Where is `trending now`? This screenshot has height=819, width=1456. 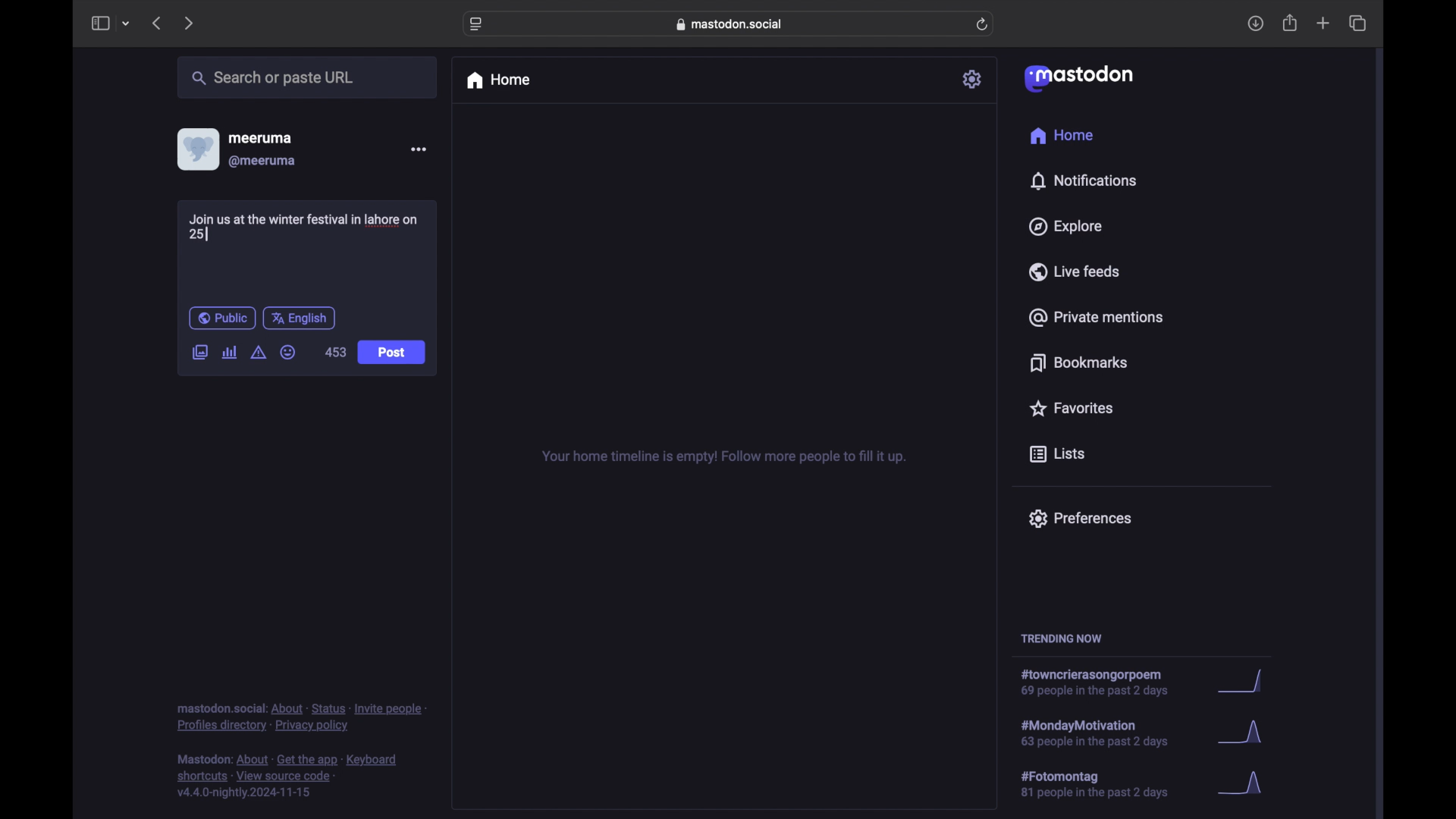 trending now is located at coordinates (1061, 639).